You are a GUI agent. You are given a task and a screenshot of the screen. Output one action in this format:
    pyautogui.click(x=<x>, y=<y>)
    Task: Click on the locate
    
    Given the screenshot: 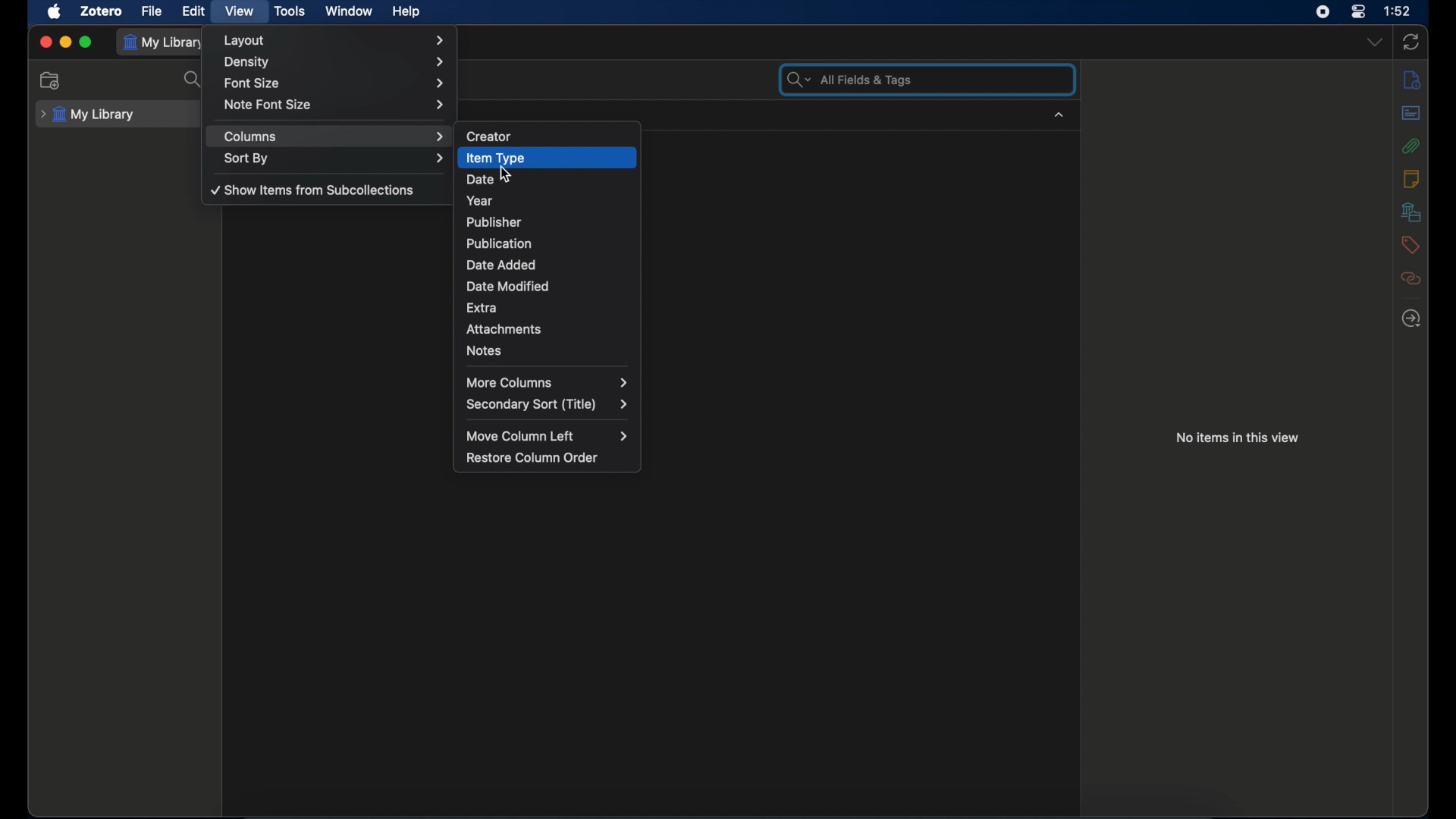 What is the action you would take?
    pyautogui.click(x=1410, y=319)
    